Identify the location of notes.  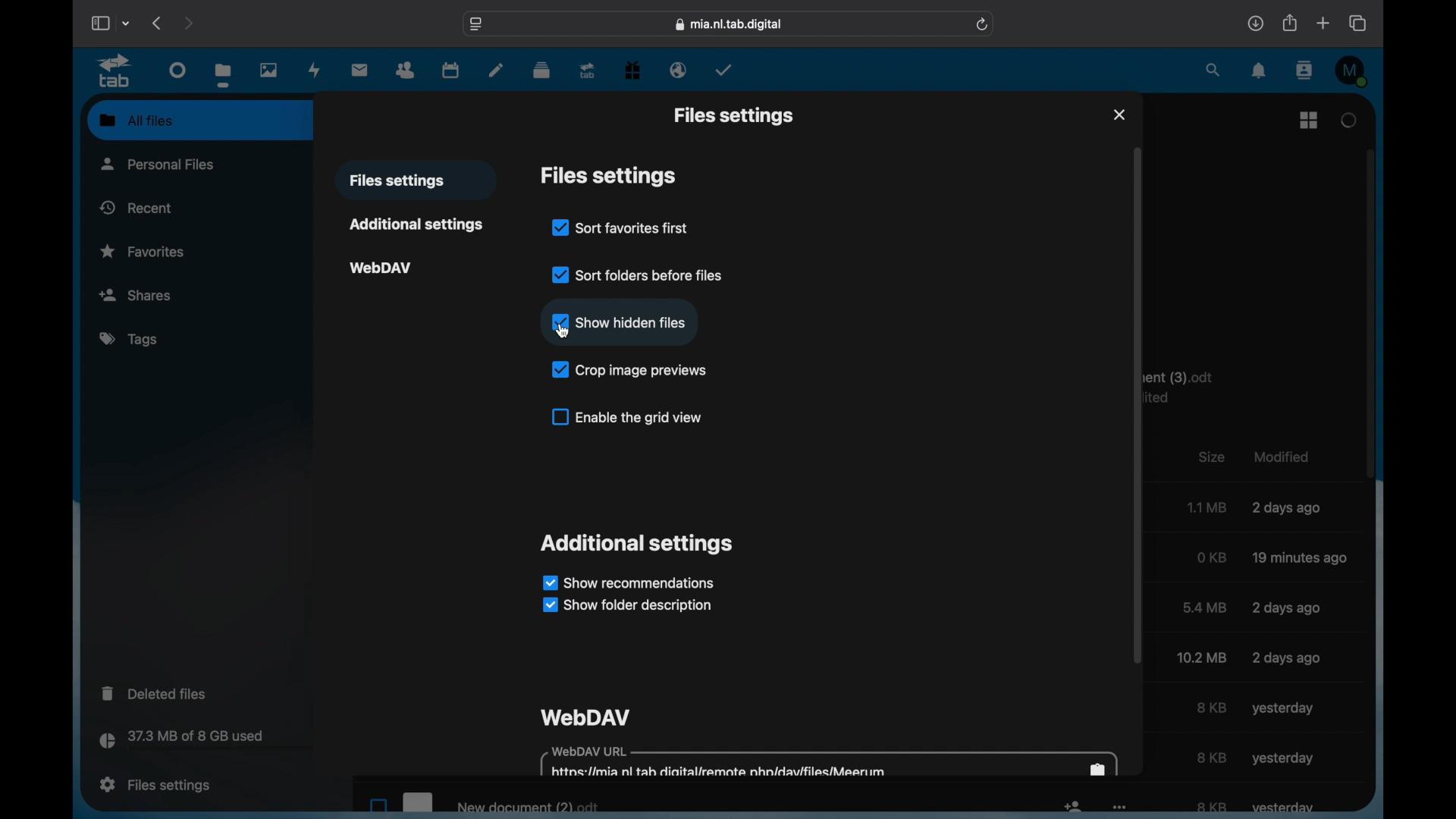
(496, 71).